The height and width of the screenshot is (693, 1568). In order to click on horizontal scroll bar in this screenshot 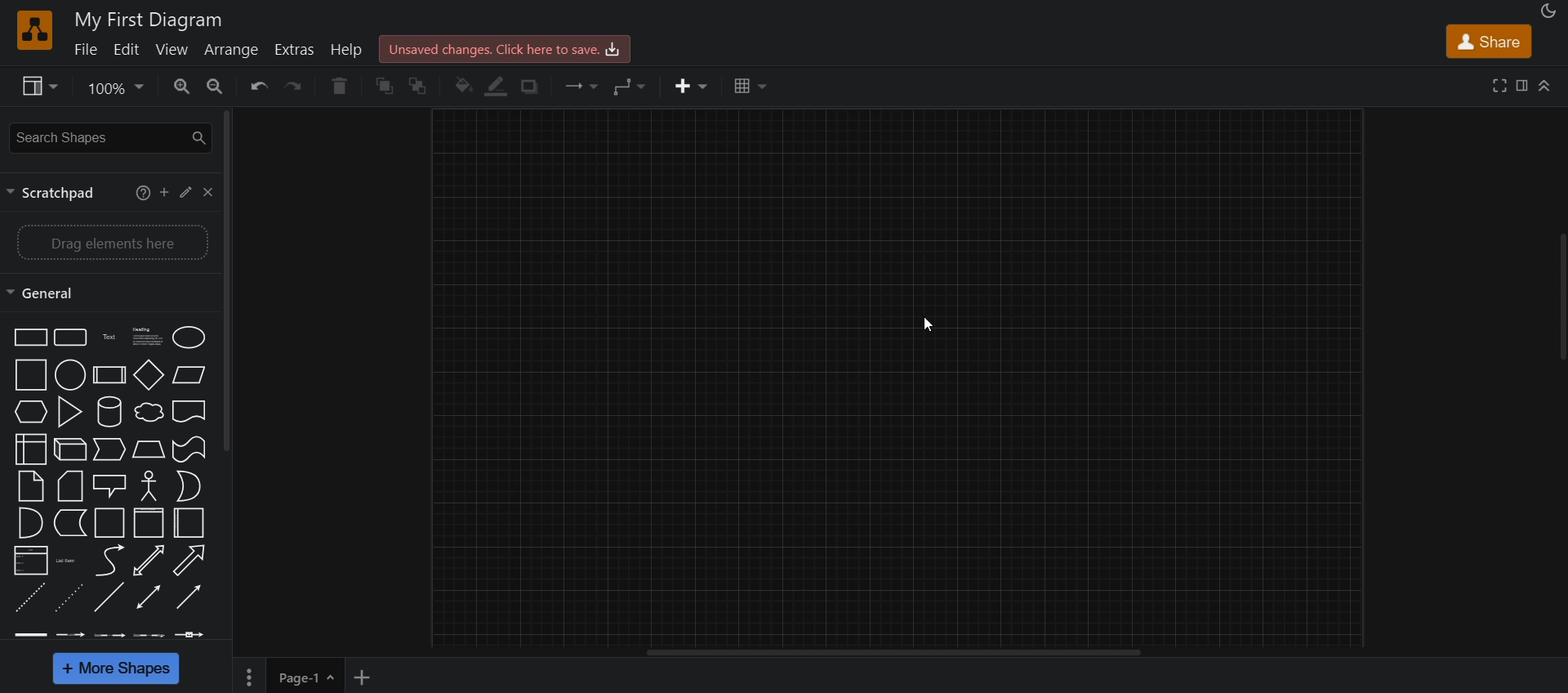, I will do `click(893, 654)`.